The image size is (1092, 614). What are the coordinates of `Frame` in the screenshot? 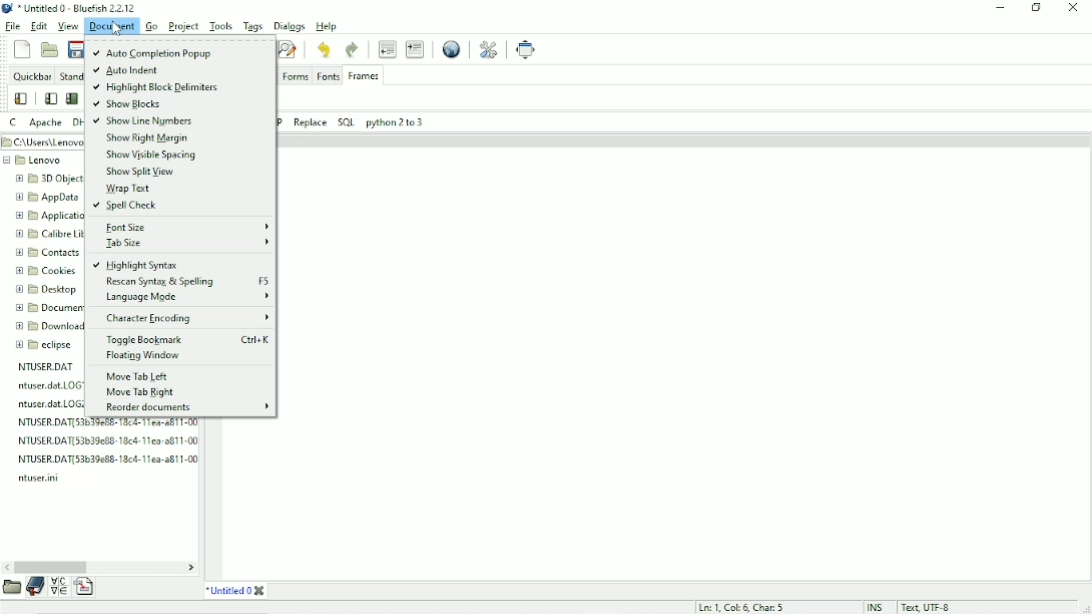 It's located at (72, 98).